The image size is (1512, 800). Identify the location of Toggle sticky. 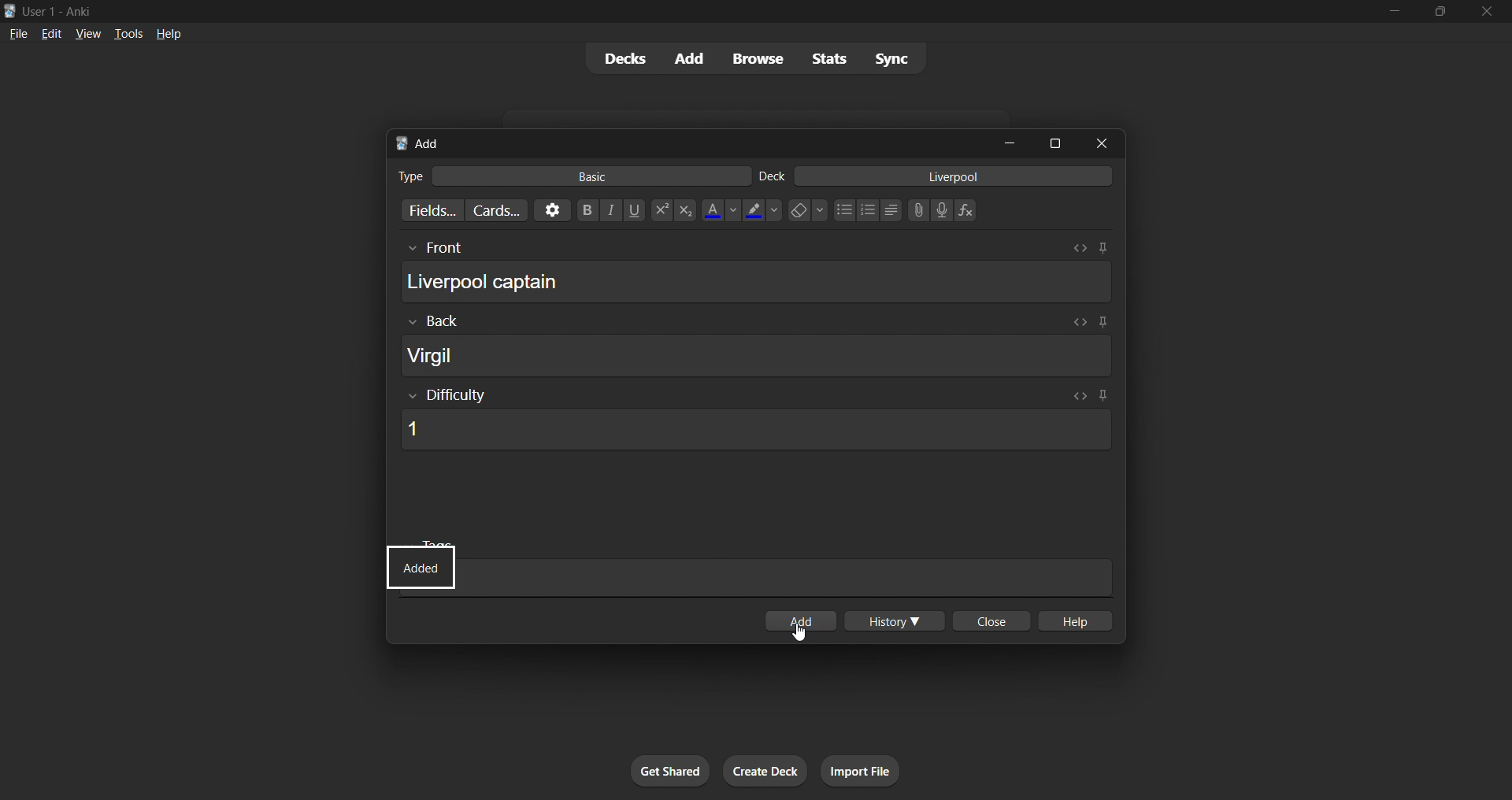
(1100, 324).